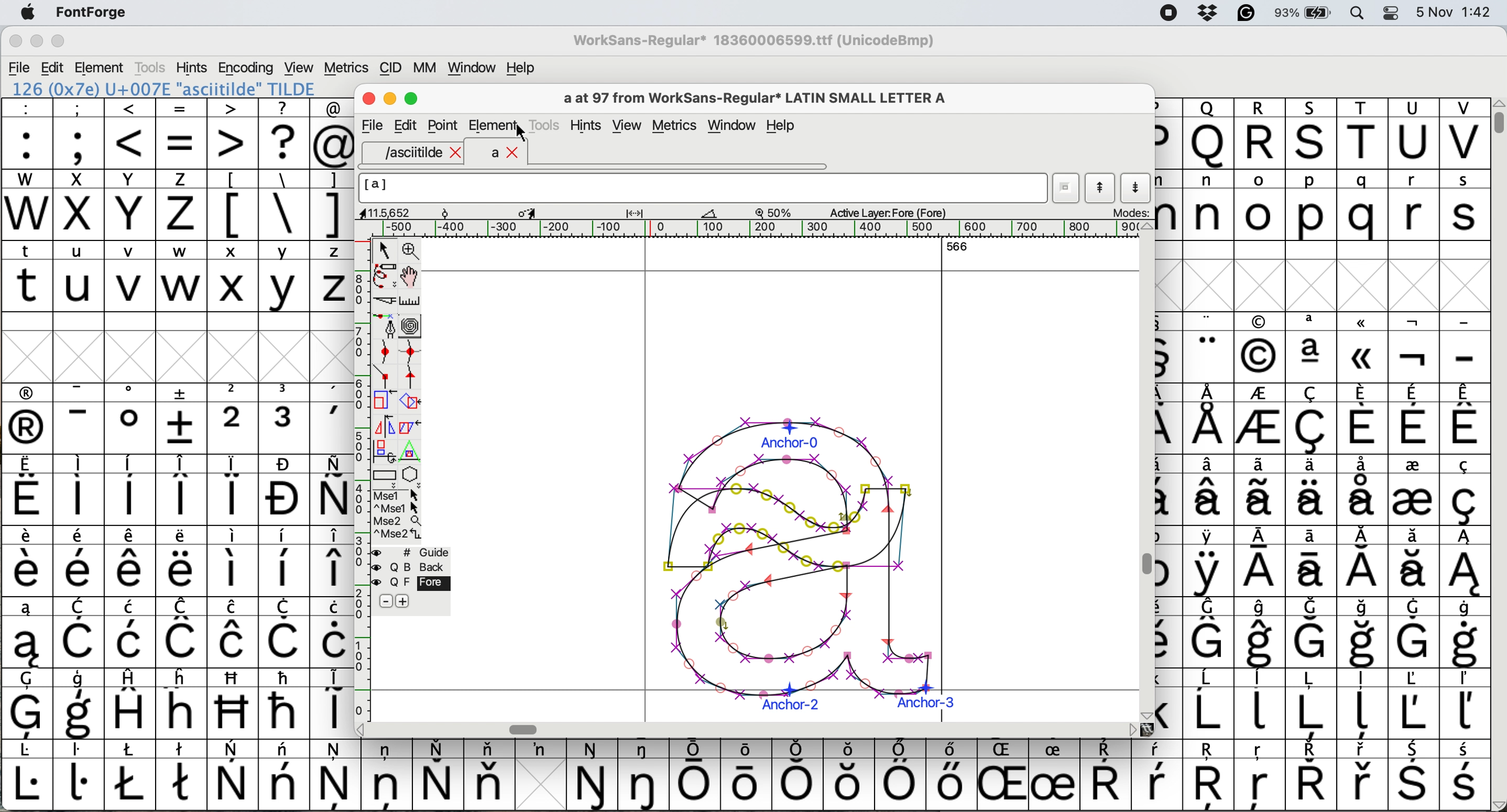 This screenshot has height=812, width=1507. What do you see at coordinates (386, 376) in the screenshot?
I see `add a comer point` at bounding box center [386, 376].